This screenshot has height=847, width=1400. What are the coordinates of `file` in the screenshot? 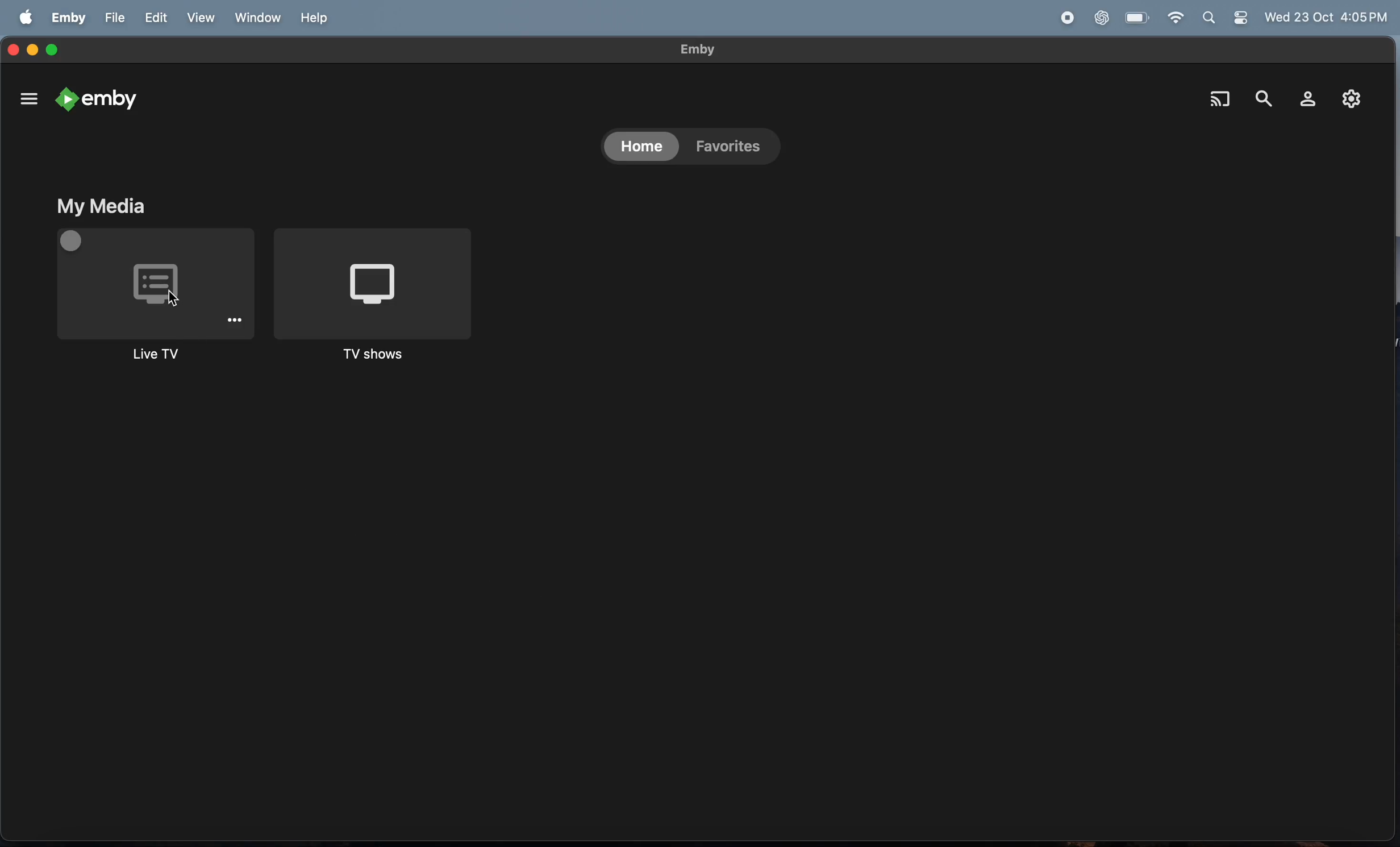 It's located at (113, 18).